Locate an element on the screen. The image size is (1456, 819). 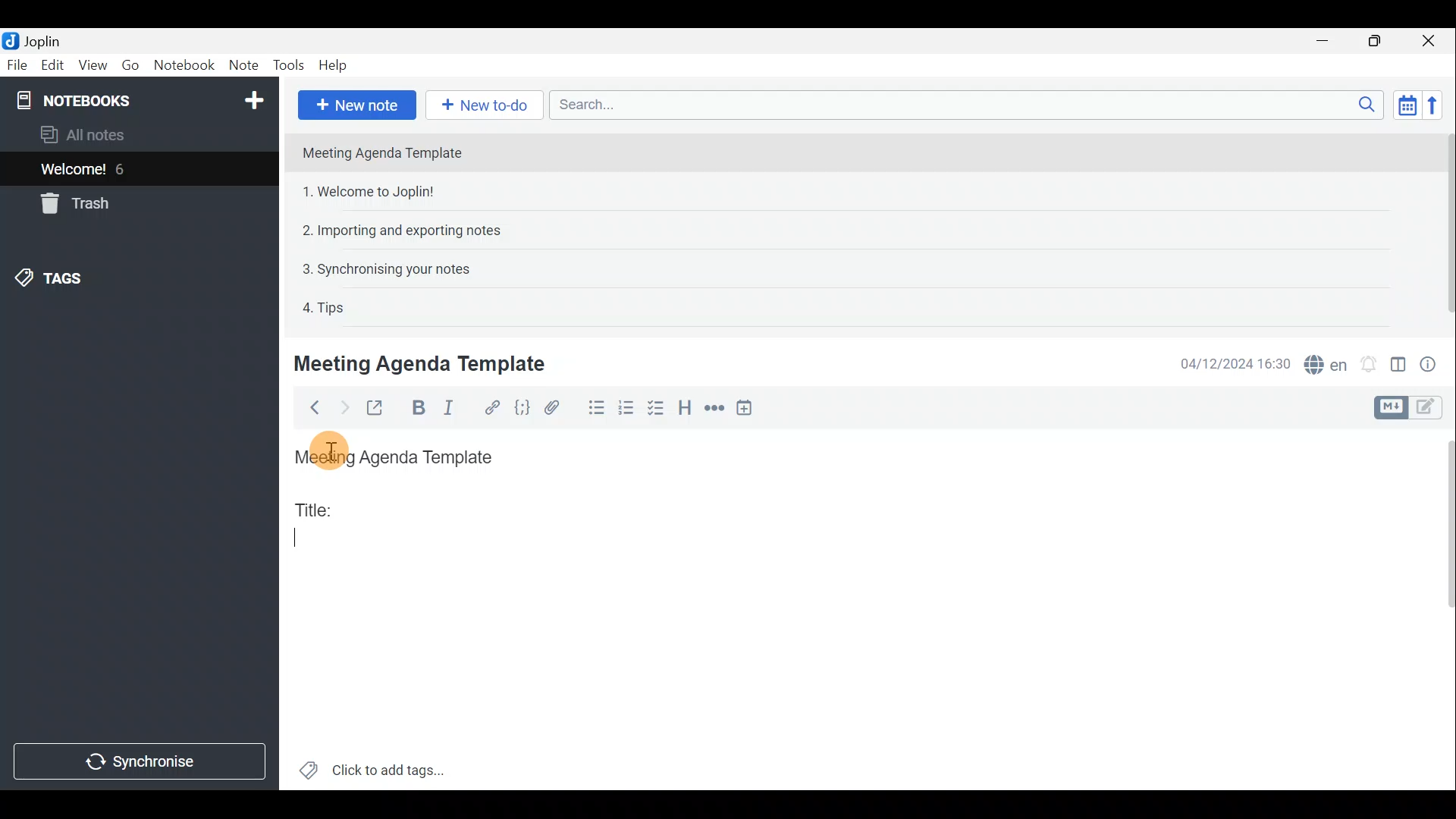
Bulleted list is located at coordinates (595, 408).